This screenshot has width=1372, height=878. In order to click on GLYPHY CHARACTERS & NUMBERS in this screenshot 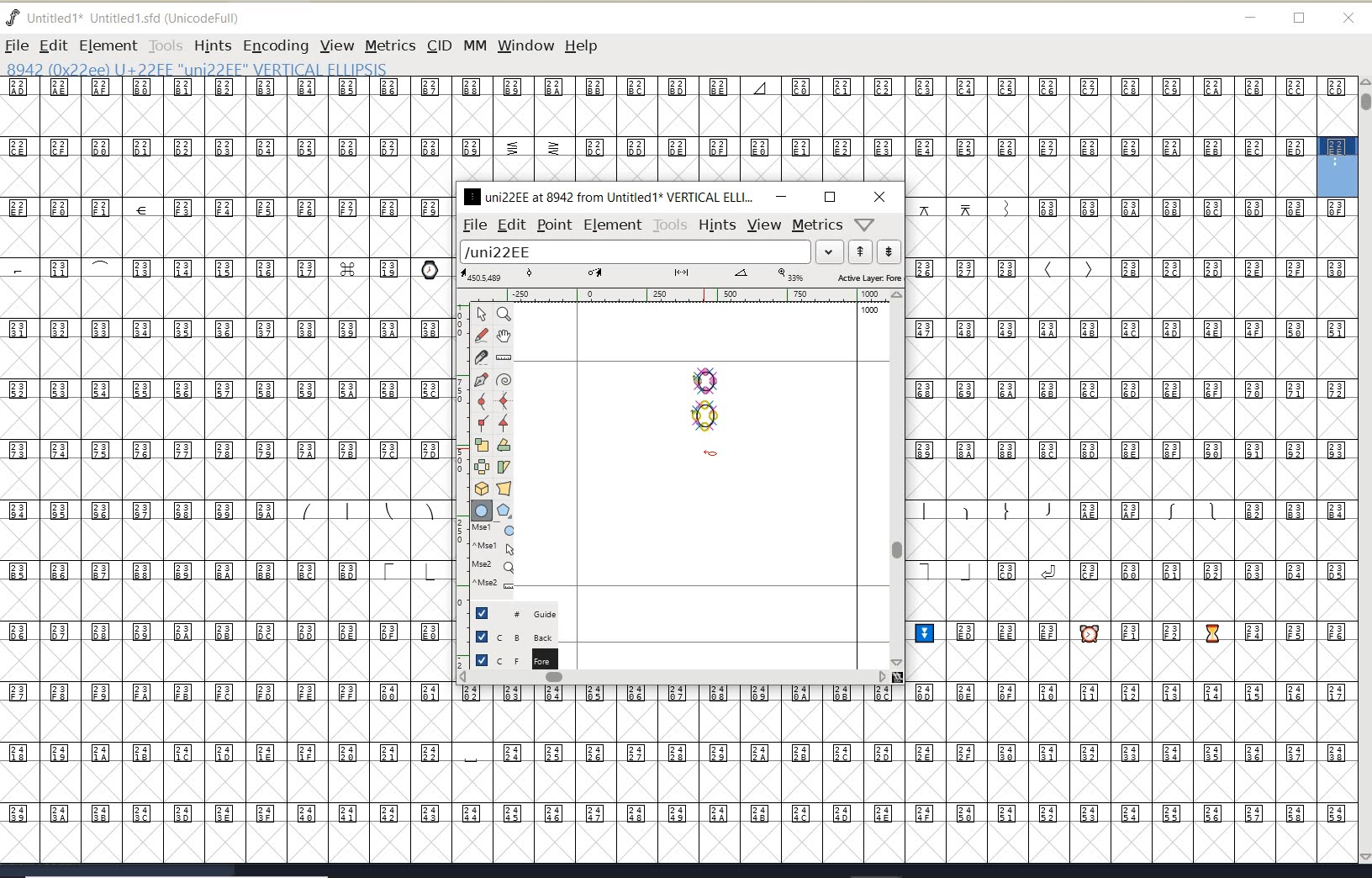, I will do `click(1133, 530)`.